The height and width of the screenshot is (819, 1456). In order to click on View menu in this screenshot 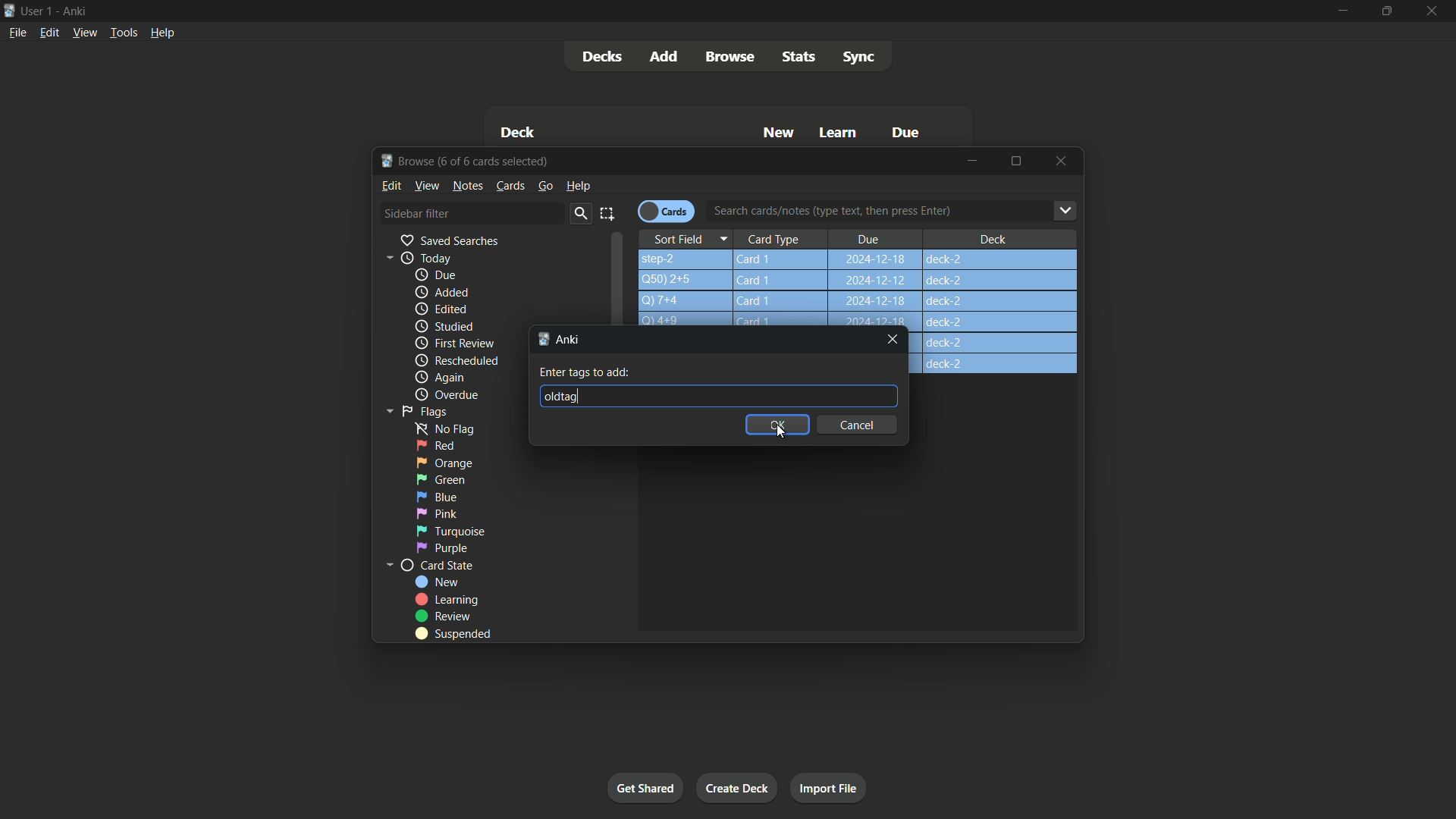, I will do `click(84, 33)`.